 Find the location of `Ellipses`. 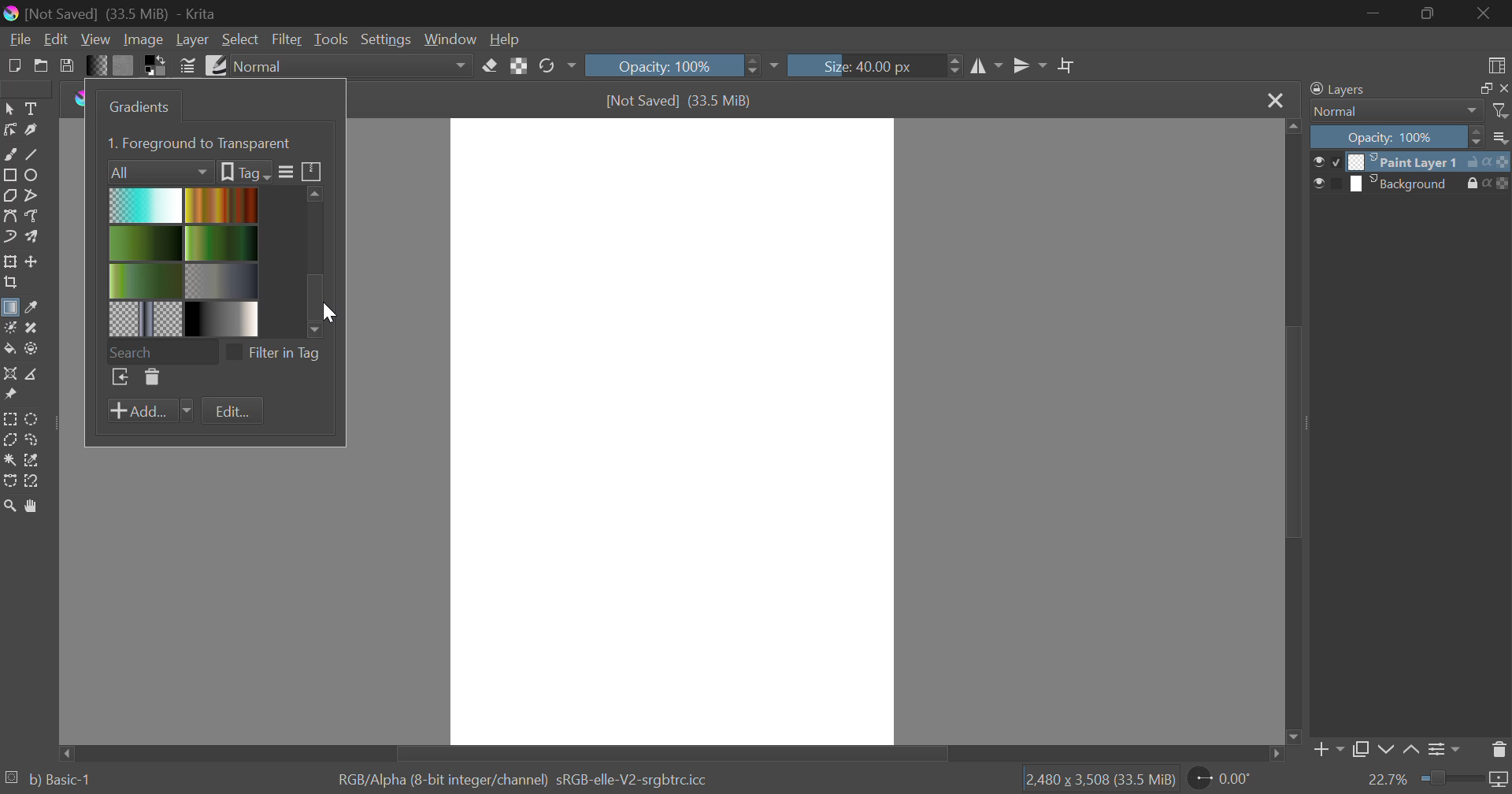

Ellipses is located at coordinates (32, 175).